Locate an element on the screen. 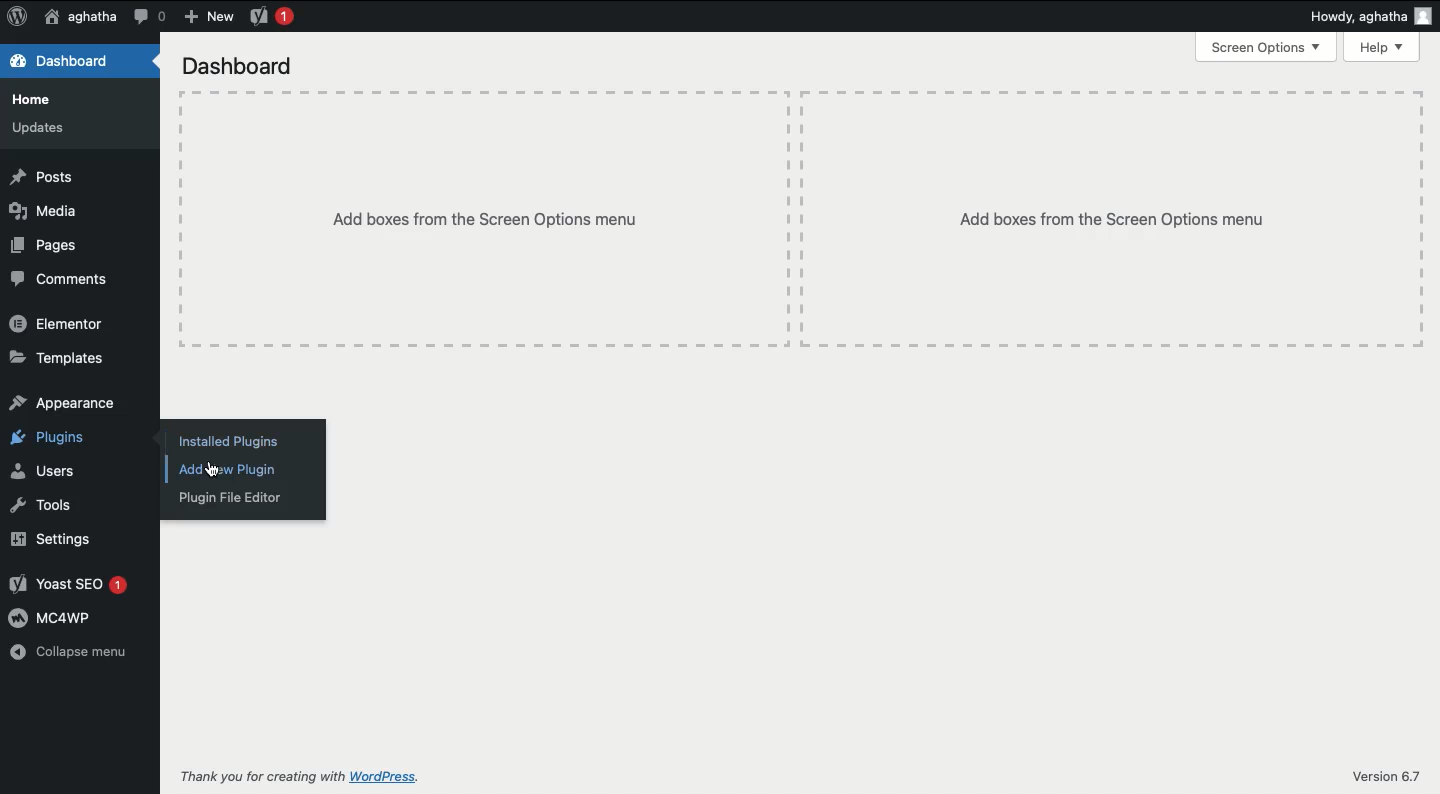 This screenshot has width=1440, height=794. Comment is located at coordinates (150, 15).